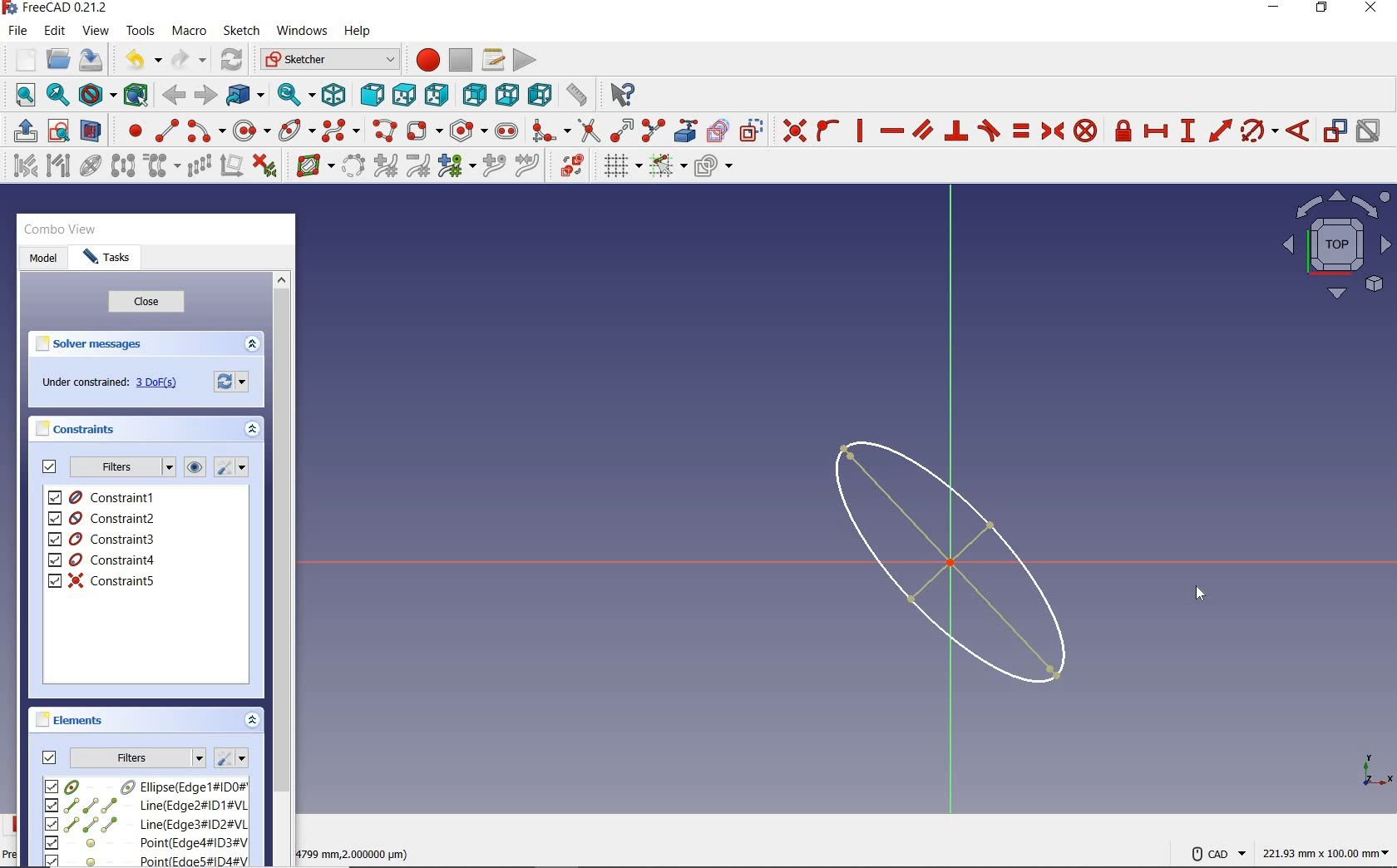 This screenshot has height=868, width=1397. What do you see at coordinates (43, 259) in the screenshot?
I see `model` at bounding box center [43, 259].